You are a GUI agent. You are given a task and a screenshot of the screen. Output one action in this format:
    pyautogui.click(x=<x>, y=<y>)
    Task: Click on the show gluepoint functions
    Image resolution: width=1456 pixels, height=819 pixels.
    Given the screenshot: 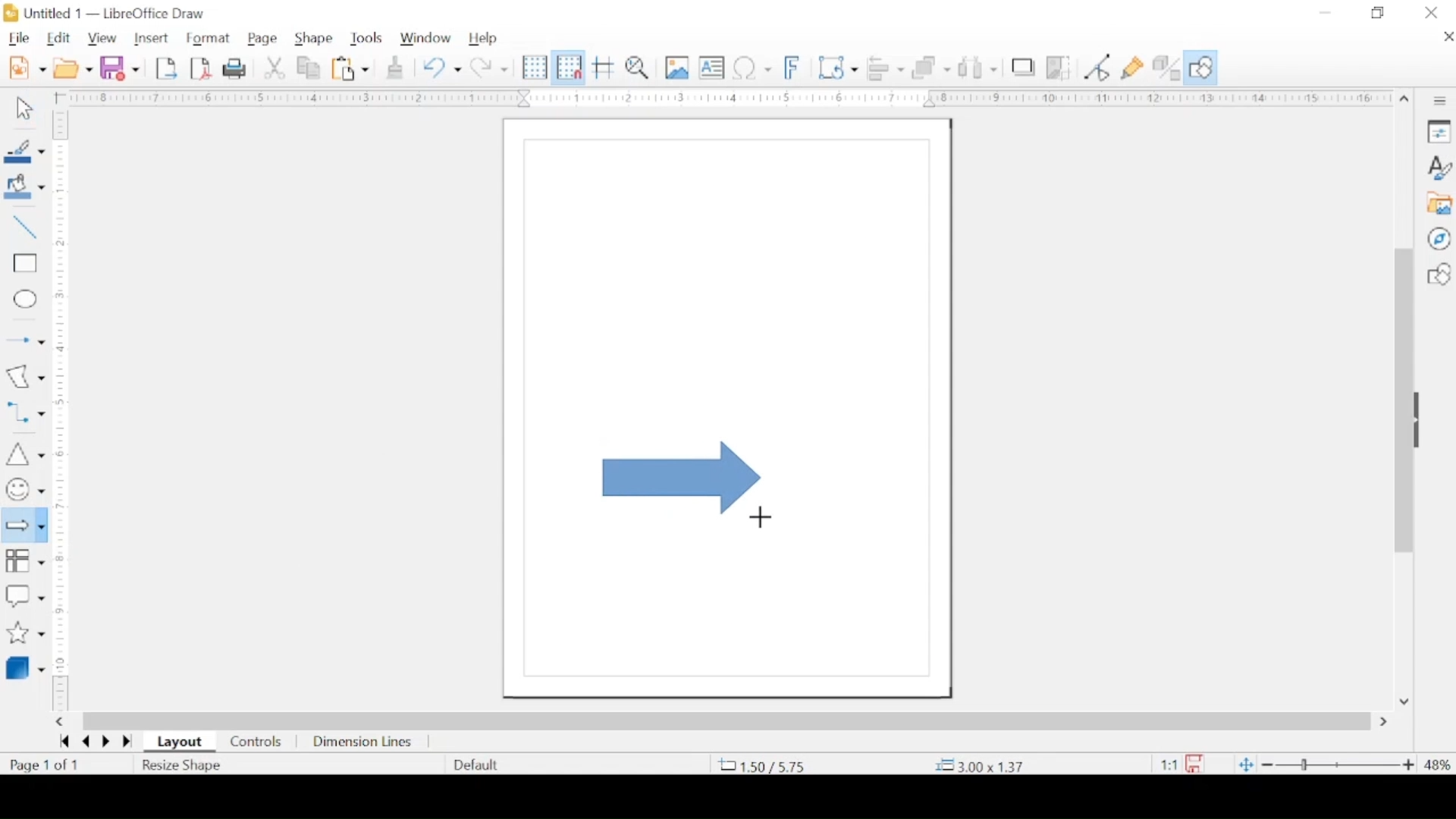 What is the action you would take?
    pyautogui.click(x=1133, y=67)
    